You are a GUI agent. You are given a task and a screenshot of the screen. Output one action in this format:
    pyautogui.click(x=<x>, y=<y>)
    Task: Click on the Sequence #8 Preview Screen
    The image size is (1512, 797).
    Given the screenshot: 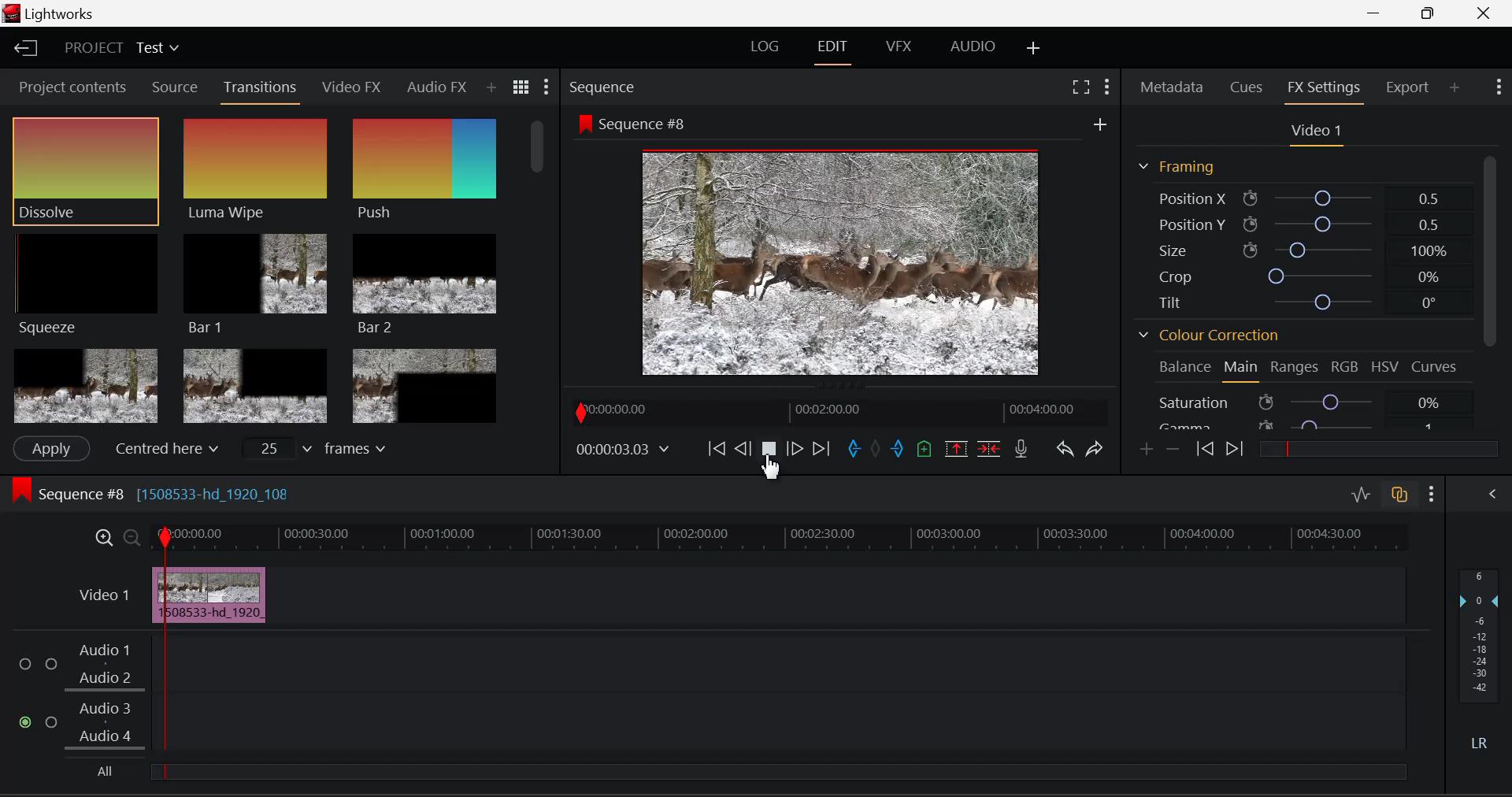 What is the action you would take?
    pyautogui.click(x=841, y=246)
    